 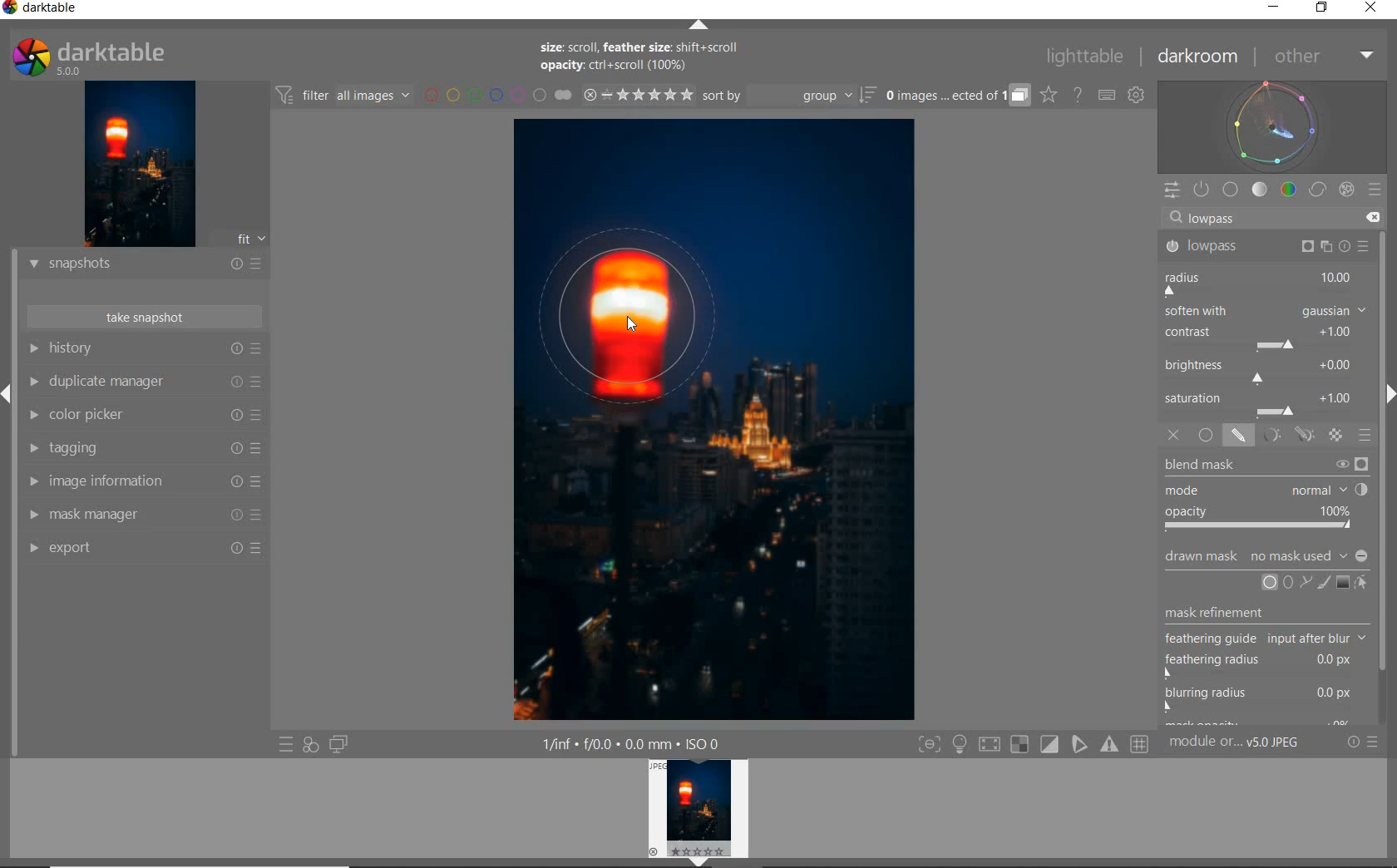 I want to click on BRIGHTNESS, so click(x=1265, y=370).